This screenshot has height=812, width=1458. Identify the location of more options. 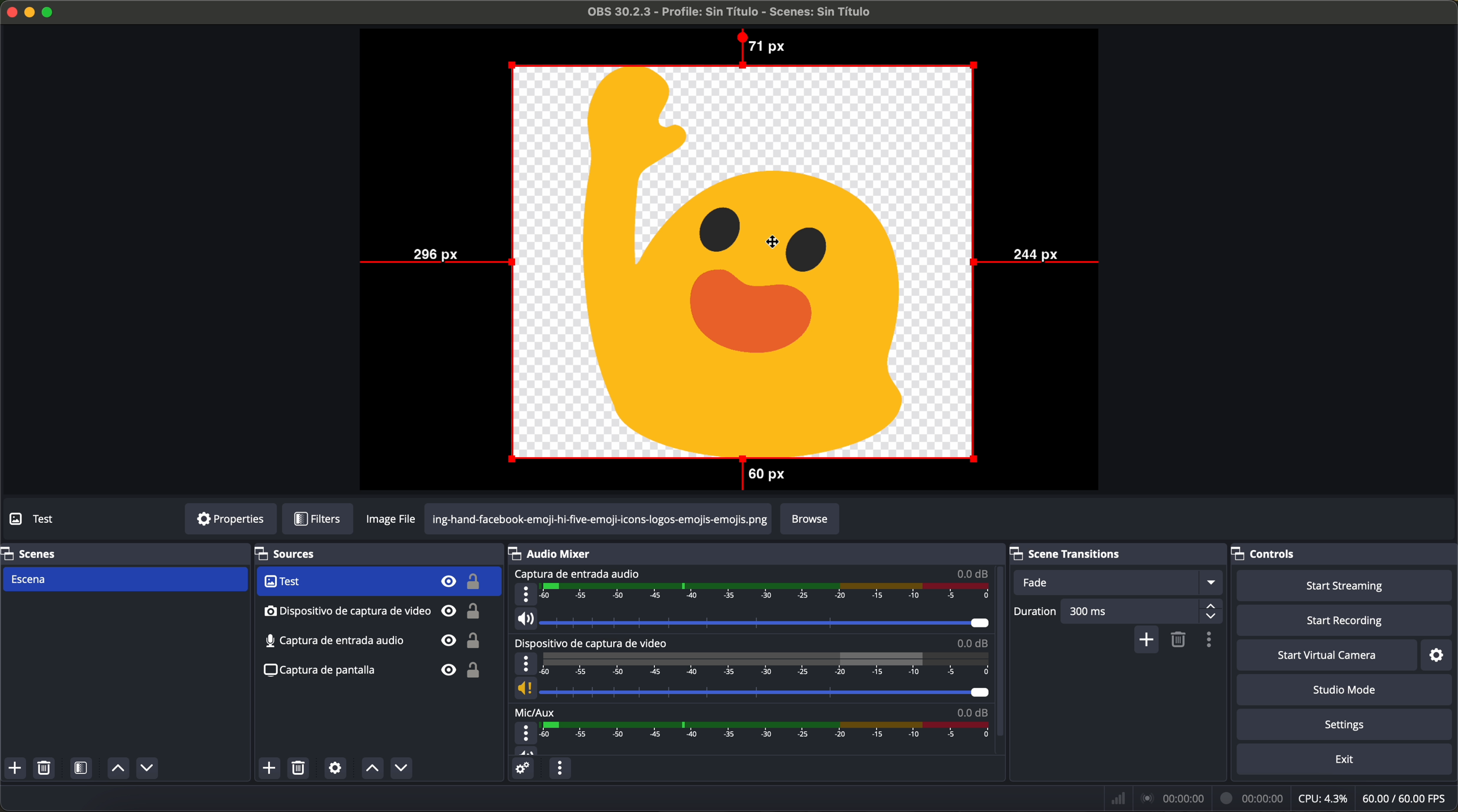
(527, 733).